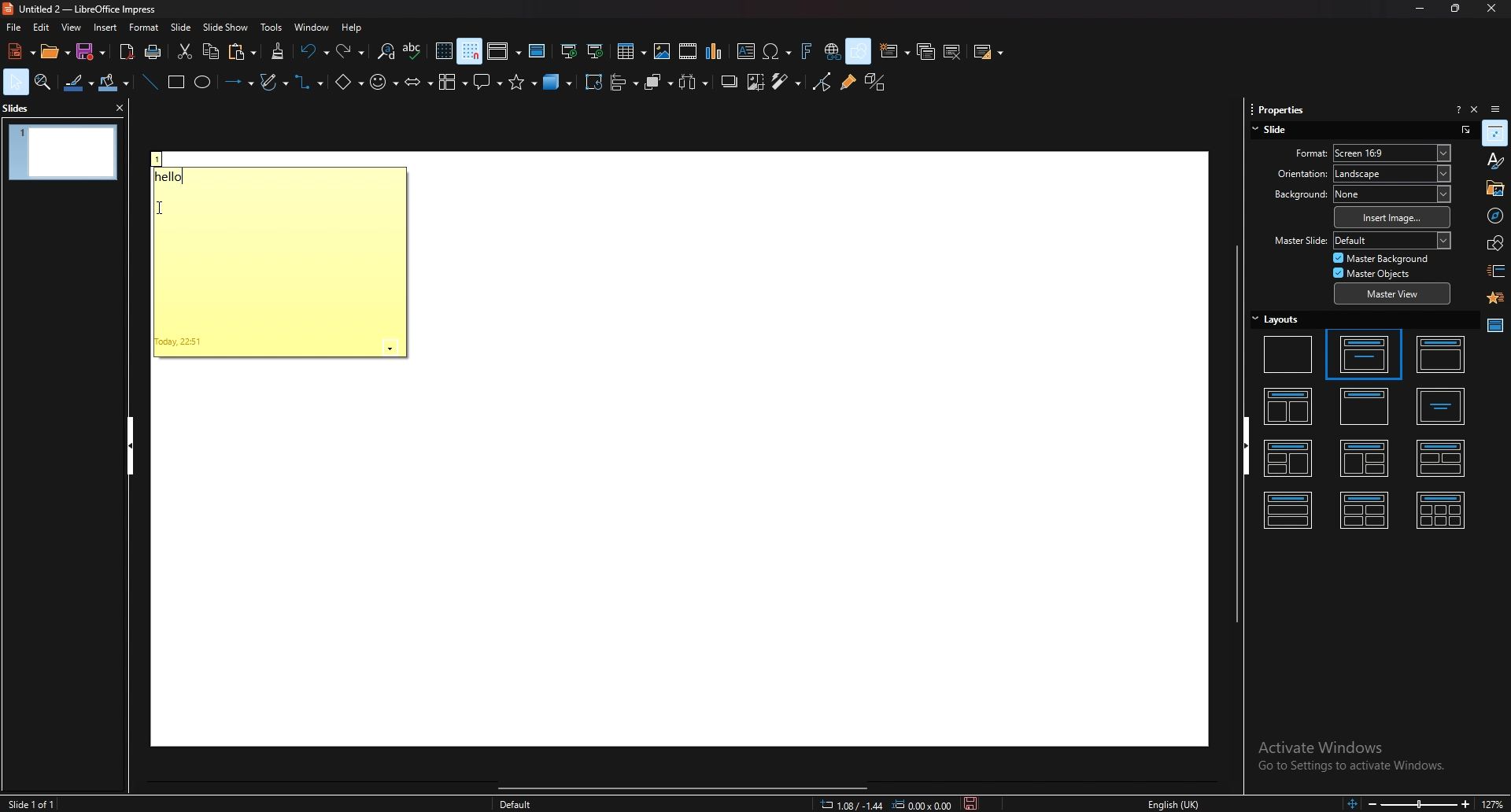 Image resolution: width=1511 pixels, height=812 pixels. Describe the element at coordinates (690, 789) in the screenshot. I see `scroll bar` at that location.